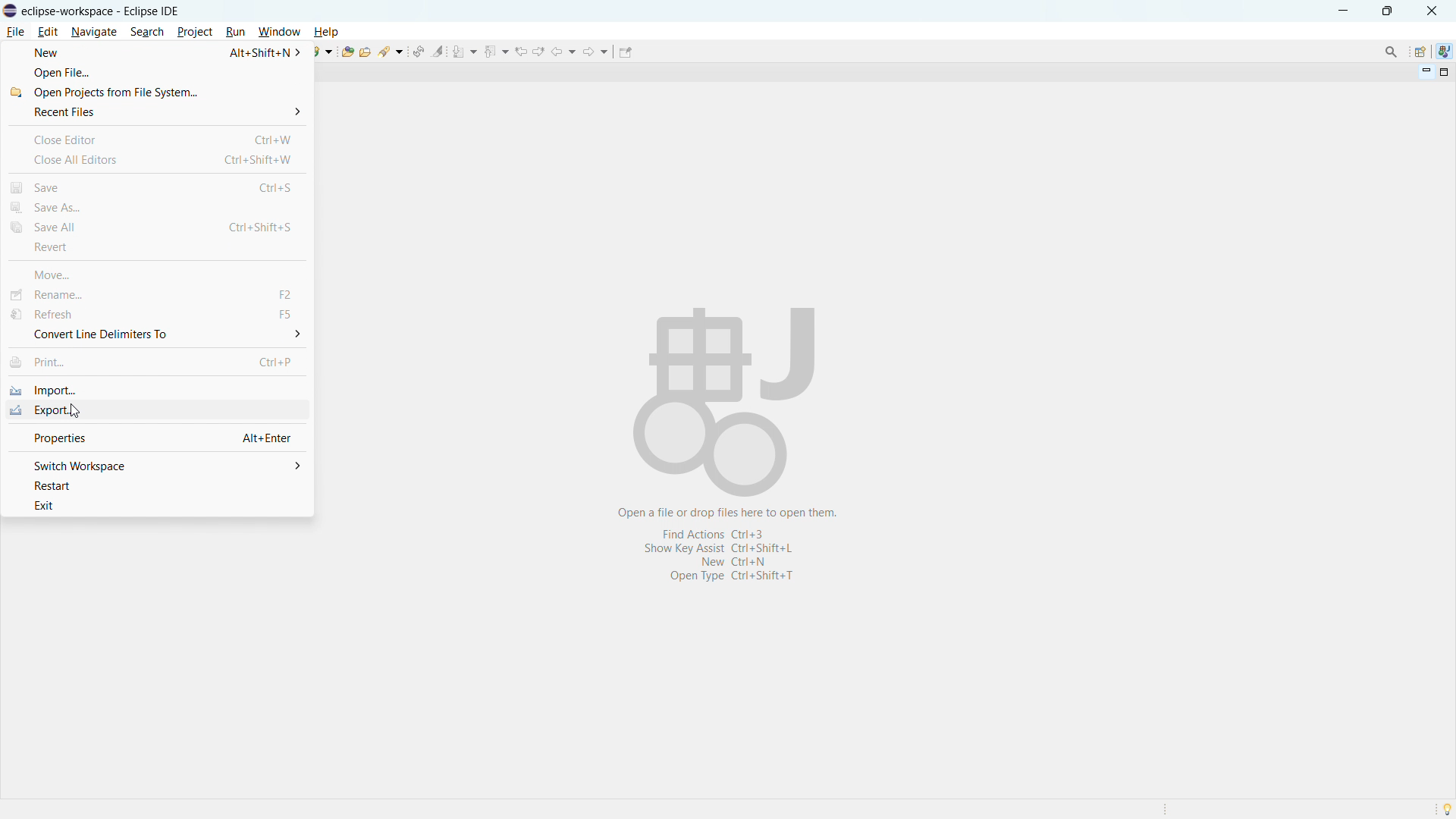 This screenshot has width=1456, height=819. I want to click on window, so click(279, 32).